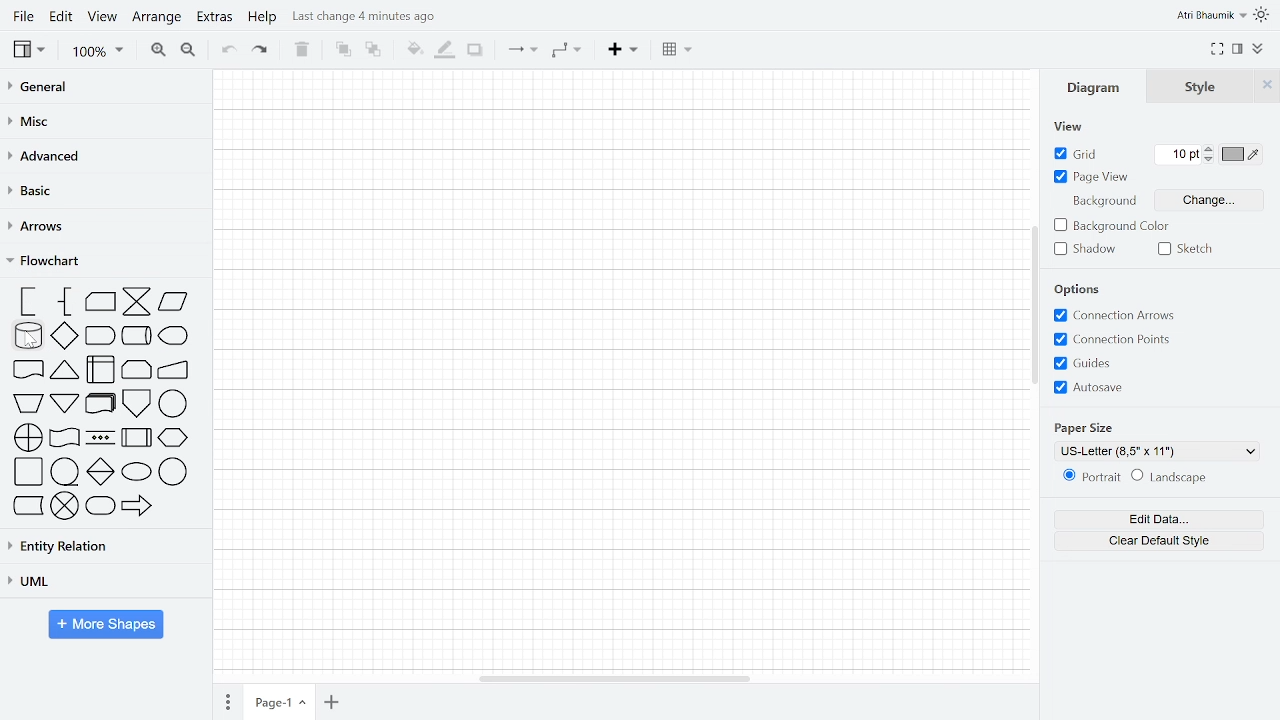 Image resolution: width=1280 pixels, height=720 pixels. Describe the element at coordinates (174, 405) in the screenshot. I see `on page reference` at that location.